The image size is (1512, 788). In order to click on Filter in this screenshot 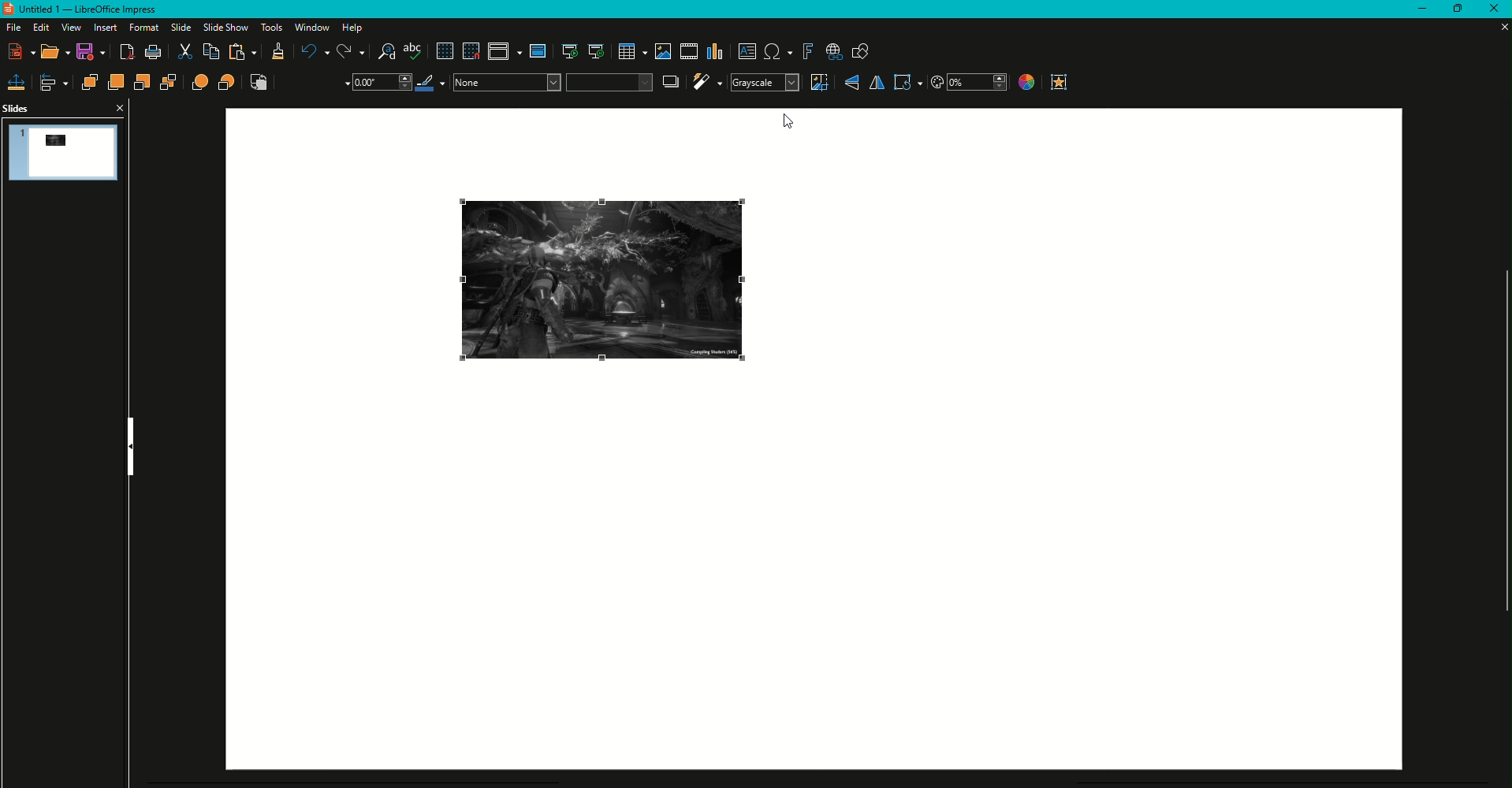, I will do `click(706, 82)`.